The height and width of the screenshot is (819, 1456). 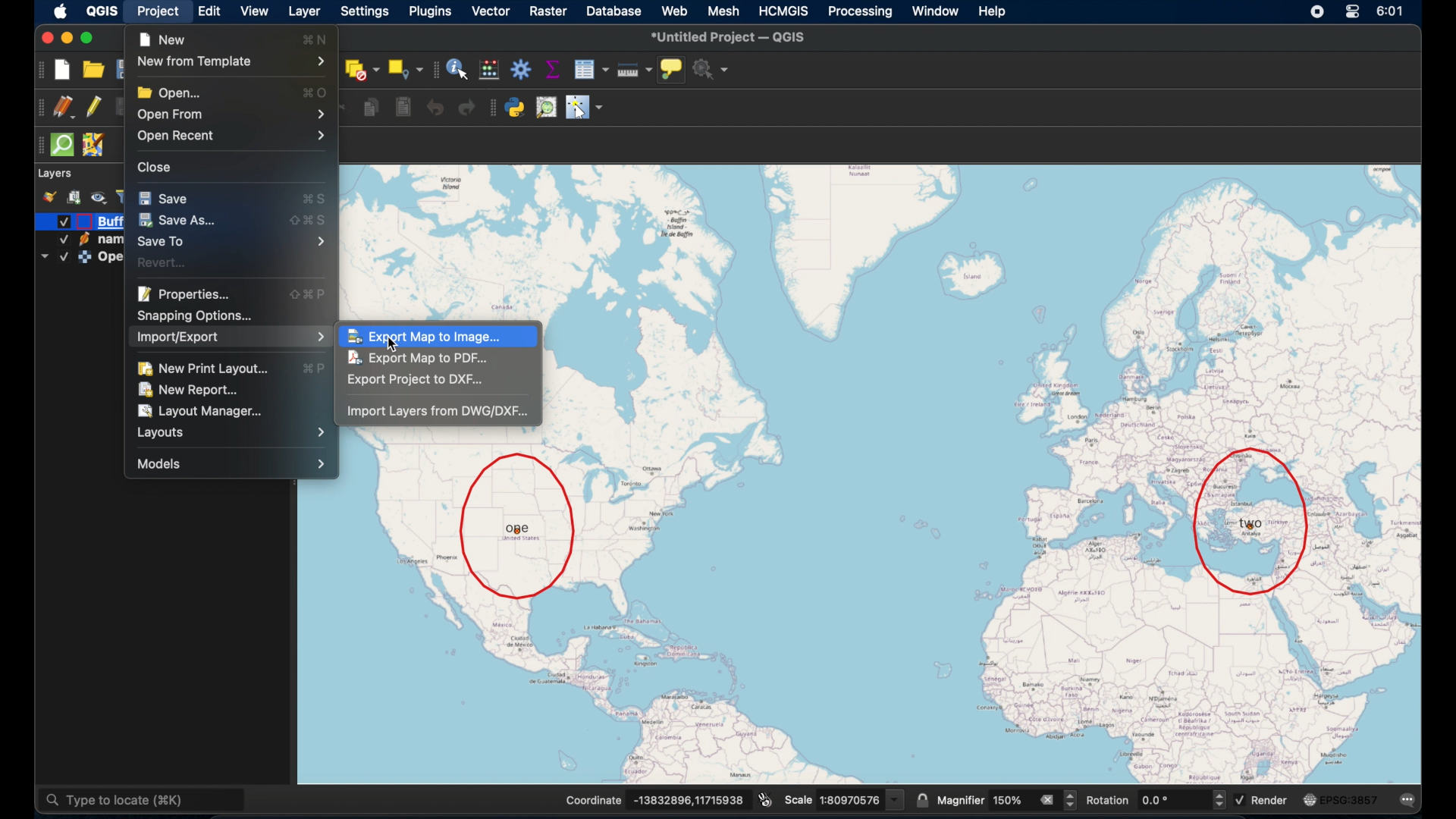 What do you see at coordinates (371, 108) in the screenshot?
I see `copy features` at bounding box center [371, 108].